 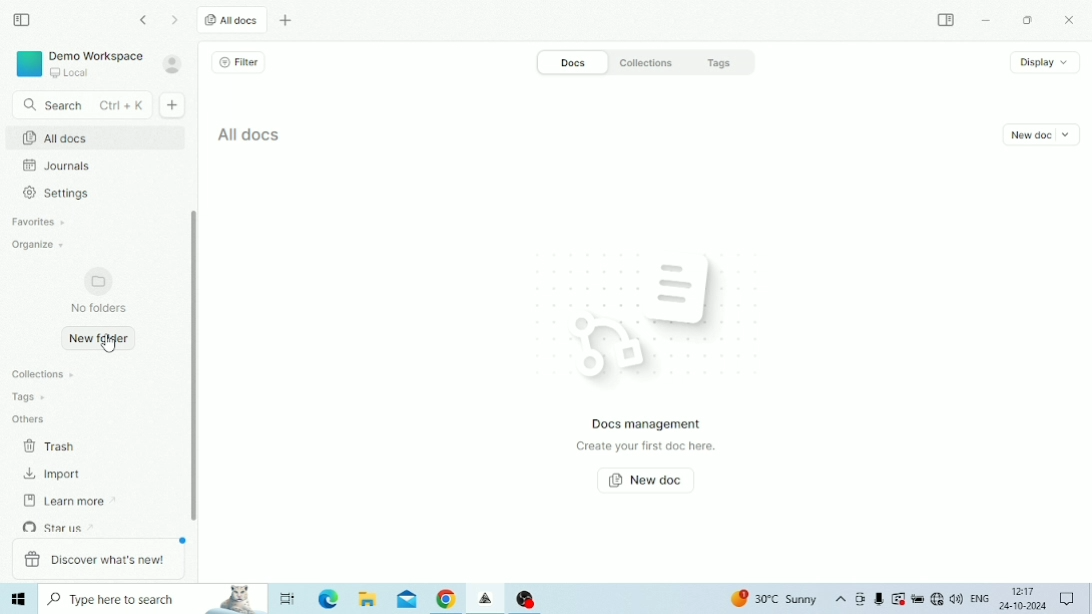 I want to click on New folder, so click(x=99, y=339).